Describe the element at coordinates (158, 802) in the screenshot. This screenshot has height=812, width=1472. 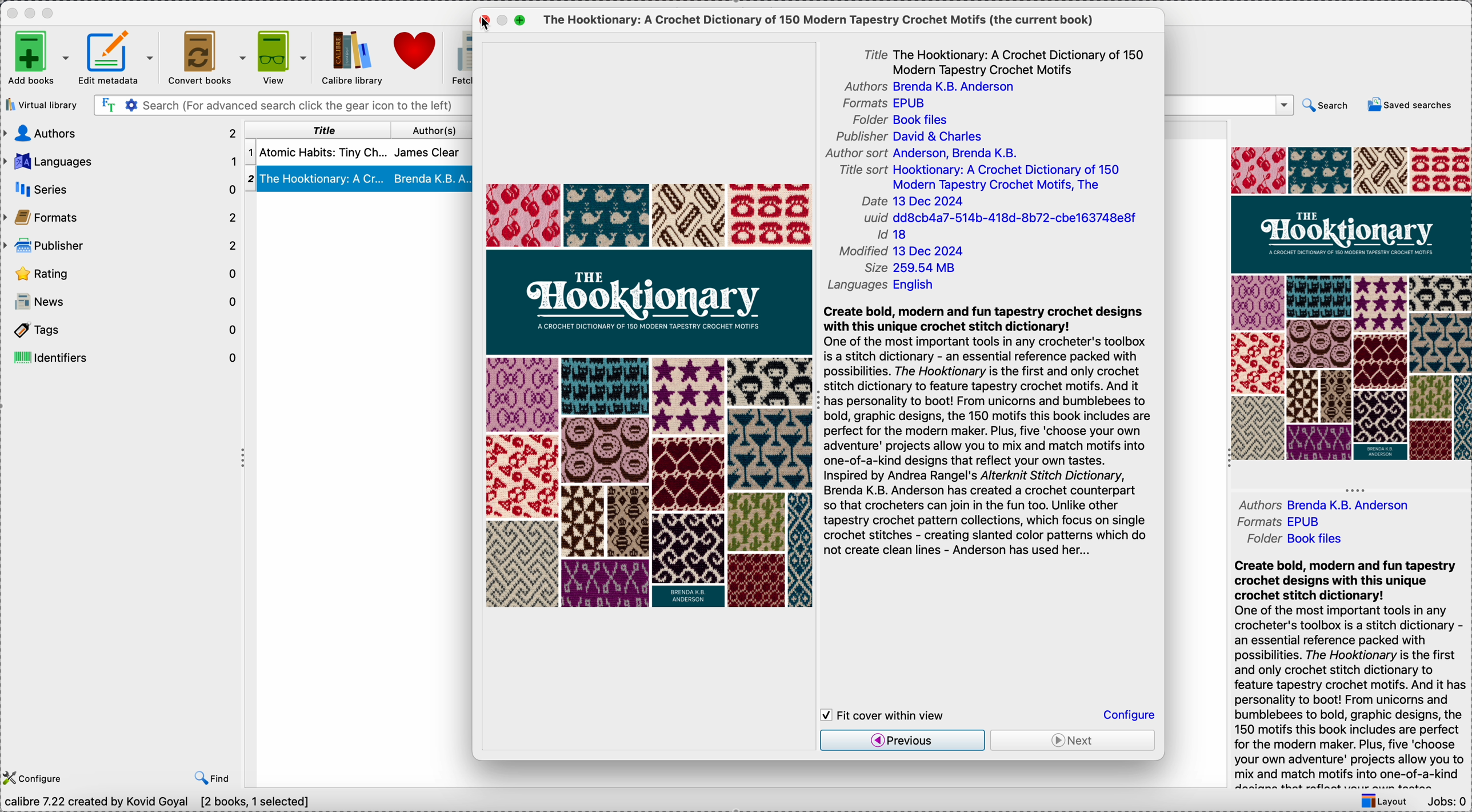
I see `Calibre 7.22 created by Kovid Goyal [2 books, 1 selected]` at that location.